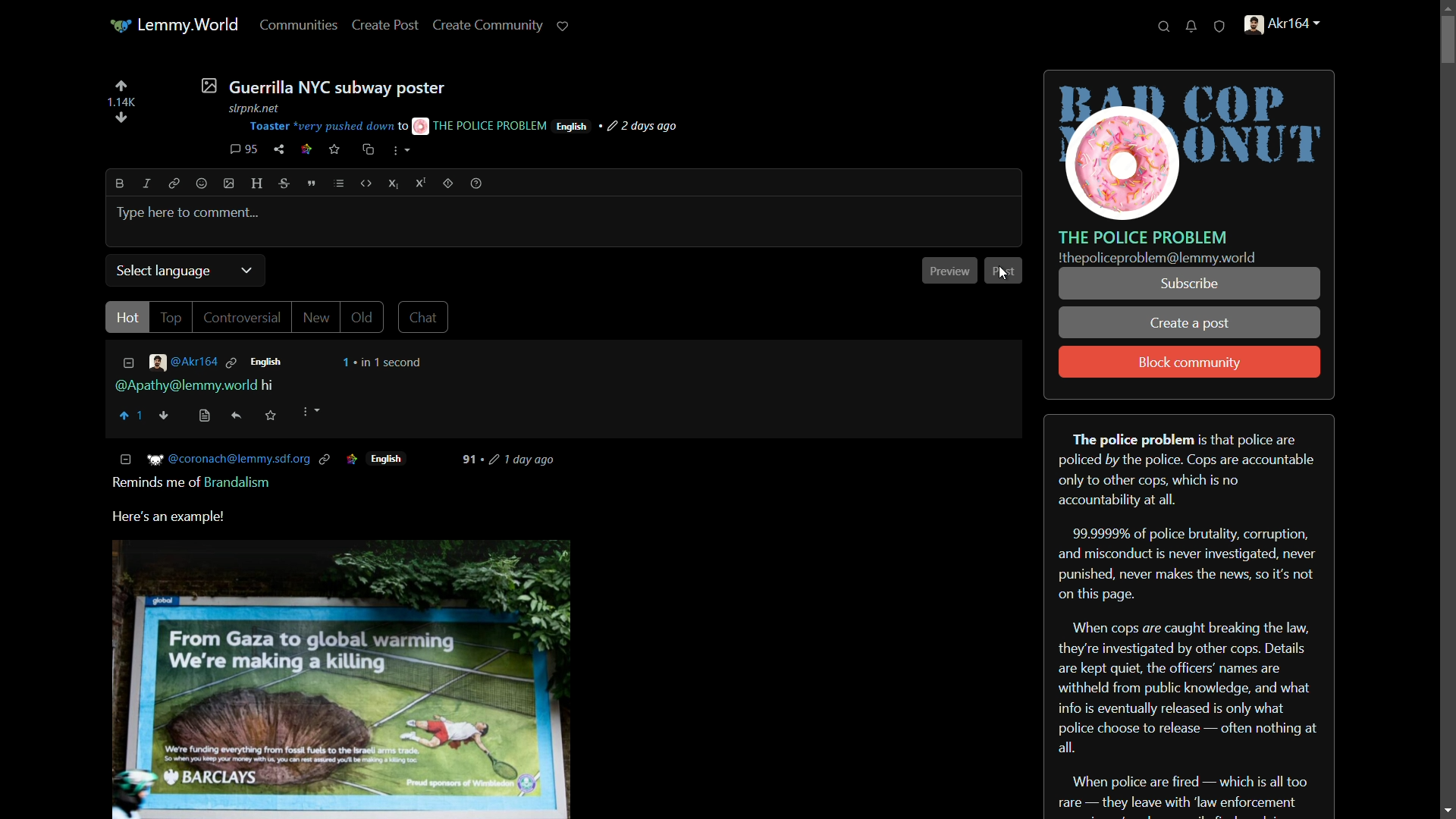 This screenshot has height=819, width=1456. I want to click on strikethrough, so click(286, 184).